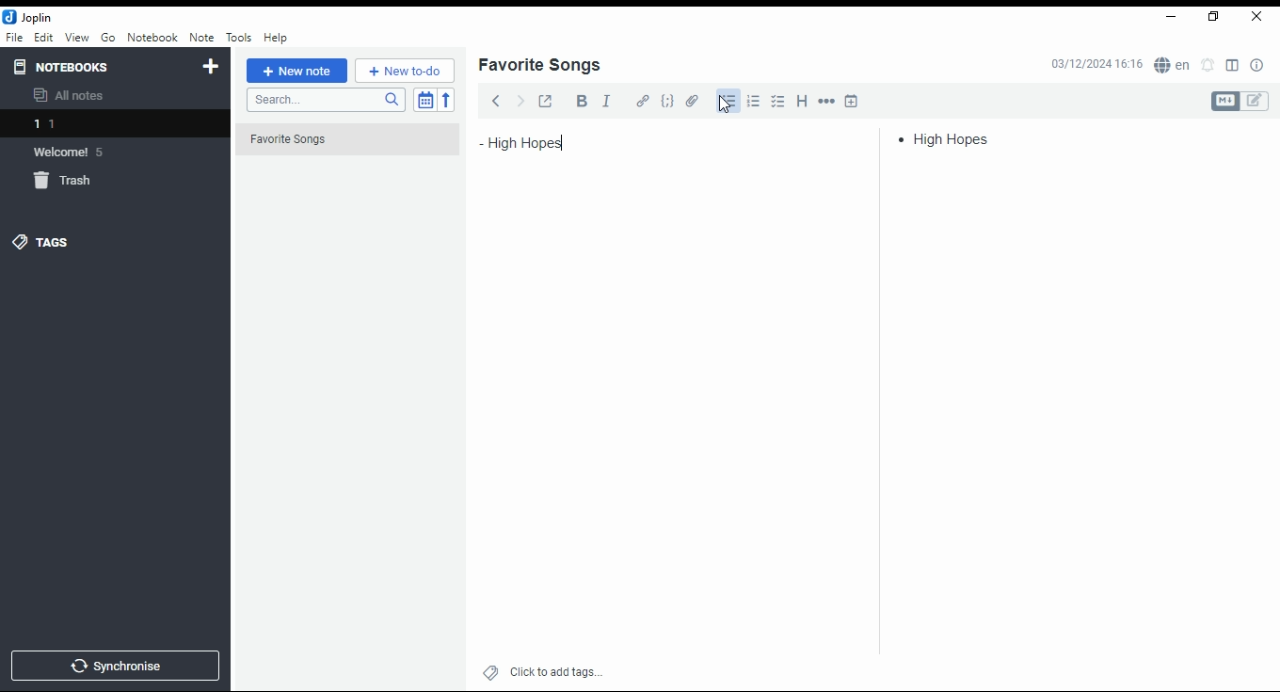 The width and height of the screenshot is (1280, 692). I want to click on tools, so click(240, 38).